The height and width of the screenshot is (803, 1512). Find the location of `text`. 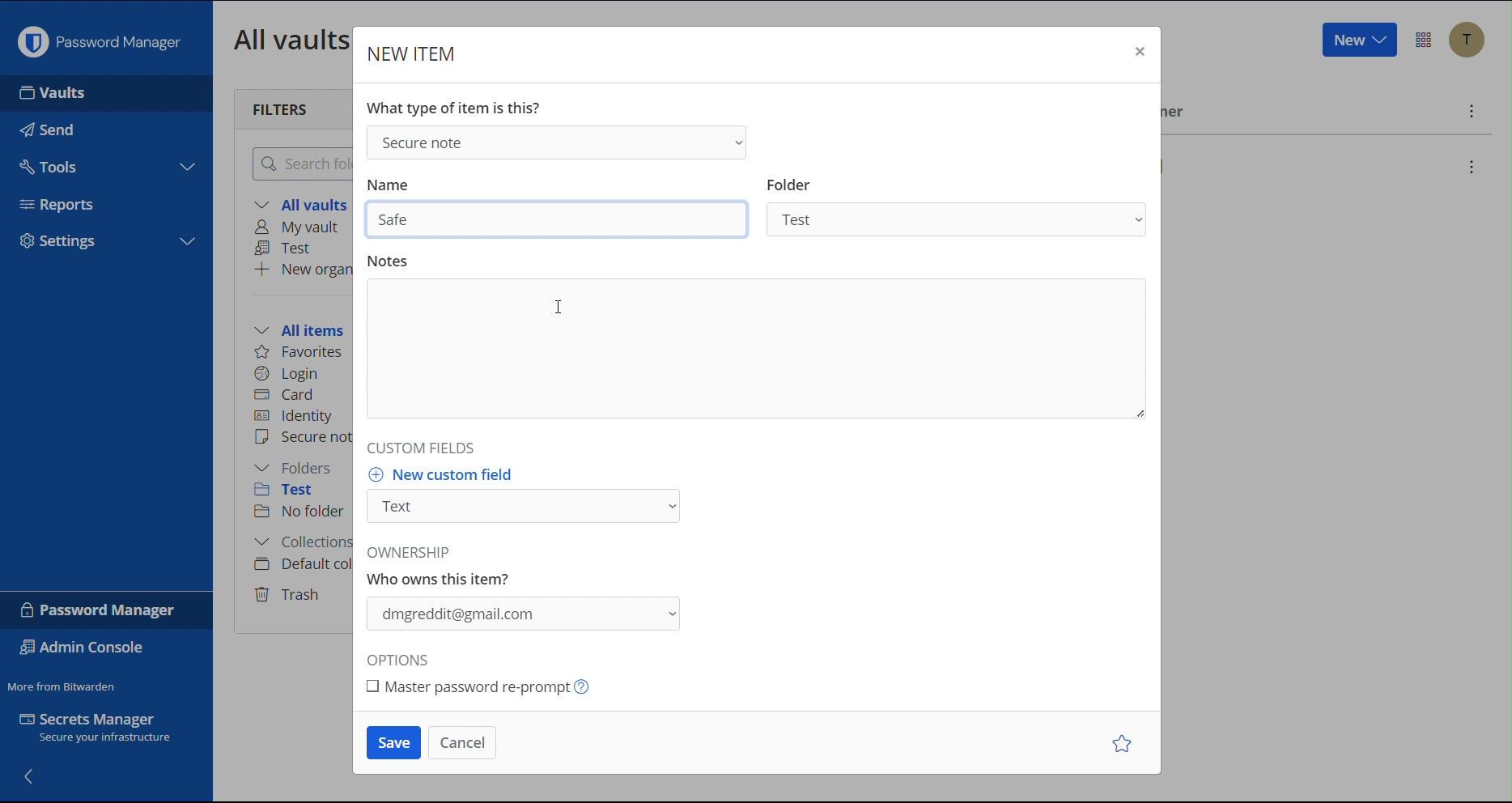

text is located at coordinates (443, 567).